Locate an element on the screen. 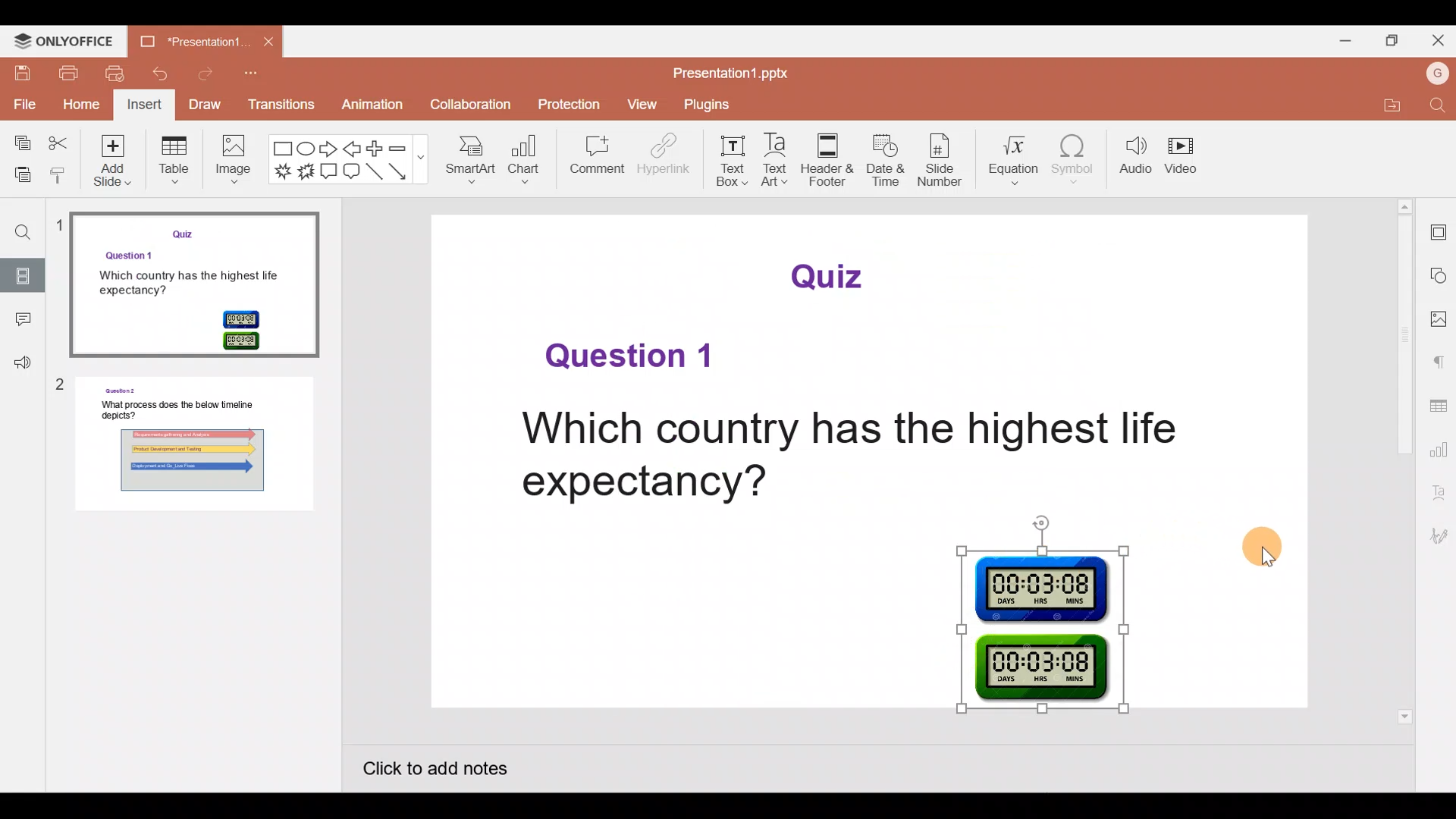 This screenshot has height=819, width=1456. Slide number is located at coordinates (946, 162).